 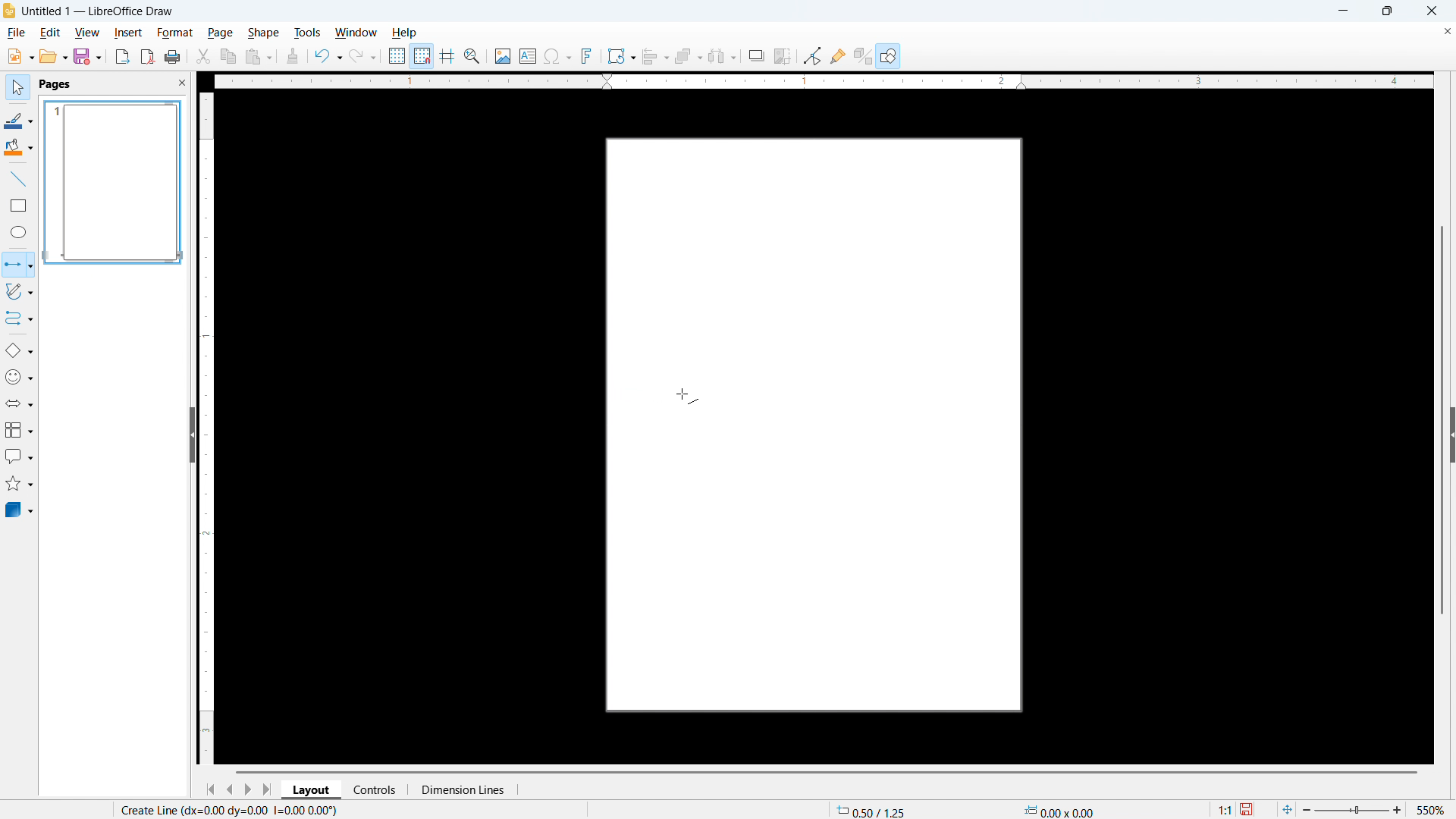 I want to click on save , so click(x=1250, y=808).